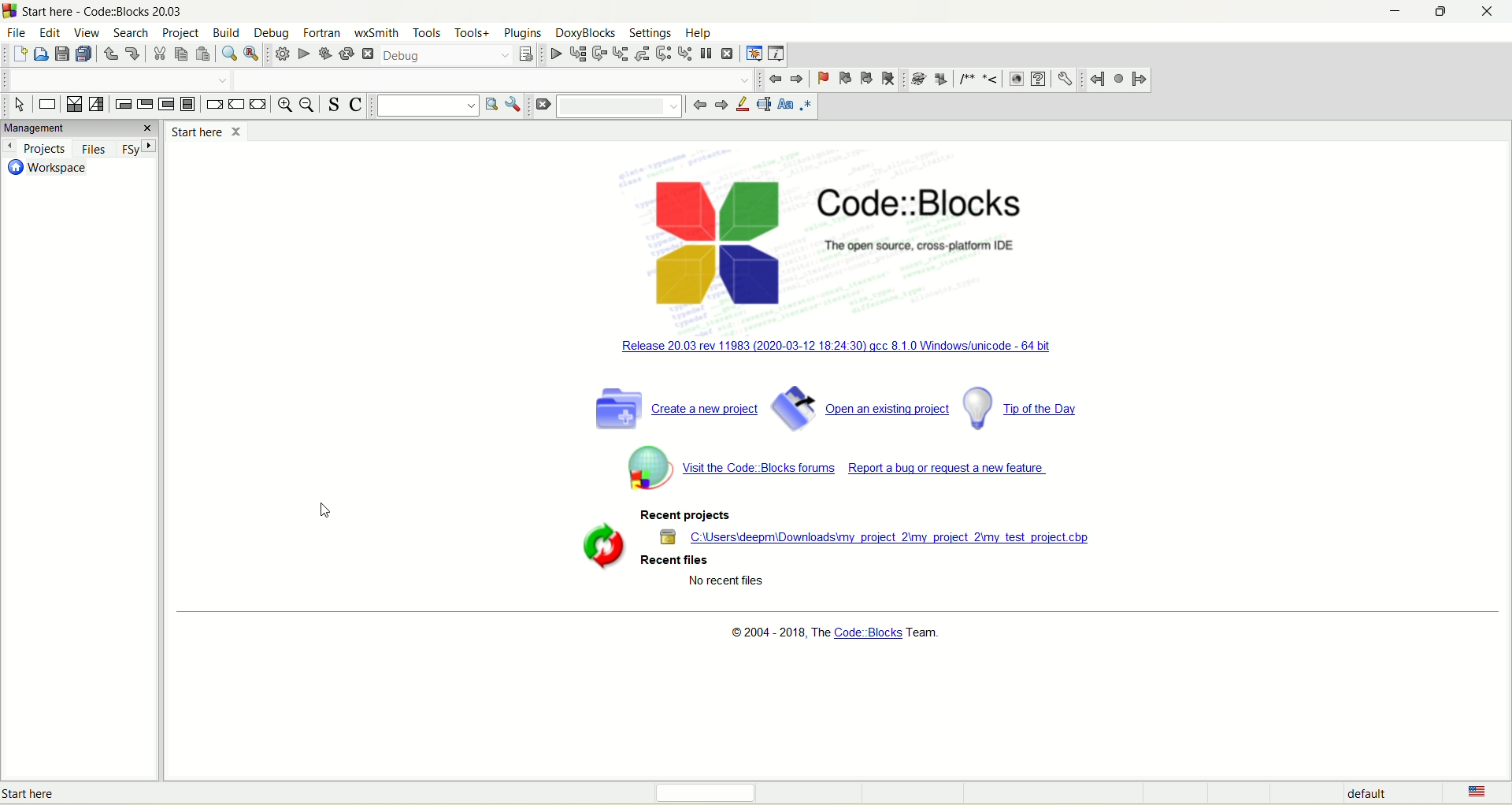 The height and width of the screenshot is (805, 1512). What do you see at coordinates (681, 516) in the screenshot?
I see `recent projects` at bounding box center [681, 516].